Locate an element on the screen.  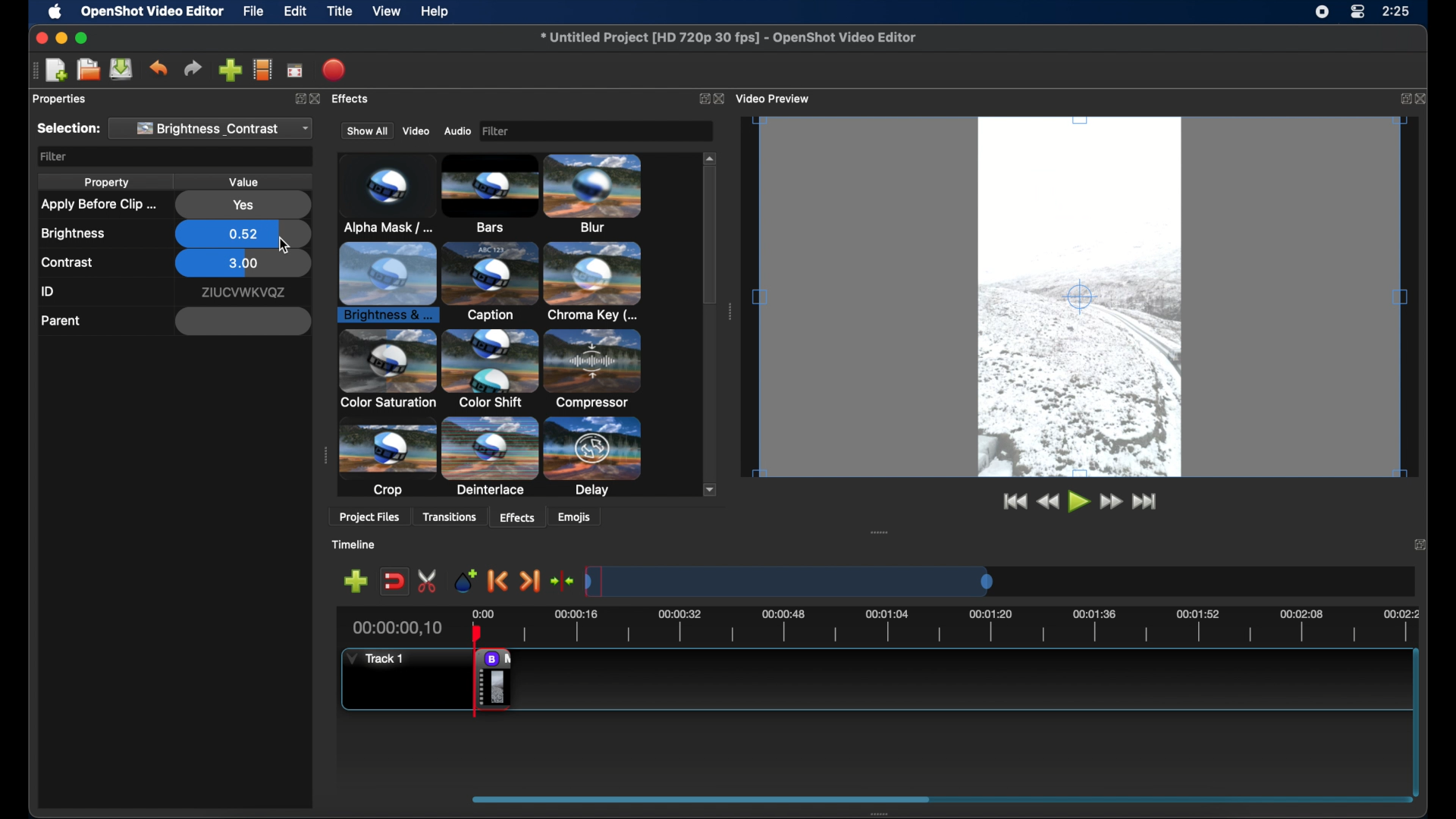
scroll up arrow is located at coordinates (708, 156).